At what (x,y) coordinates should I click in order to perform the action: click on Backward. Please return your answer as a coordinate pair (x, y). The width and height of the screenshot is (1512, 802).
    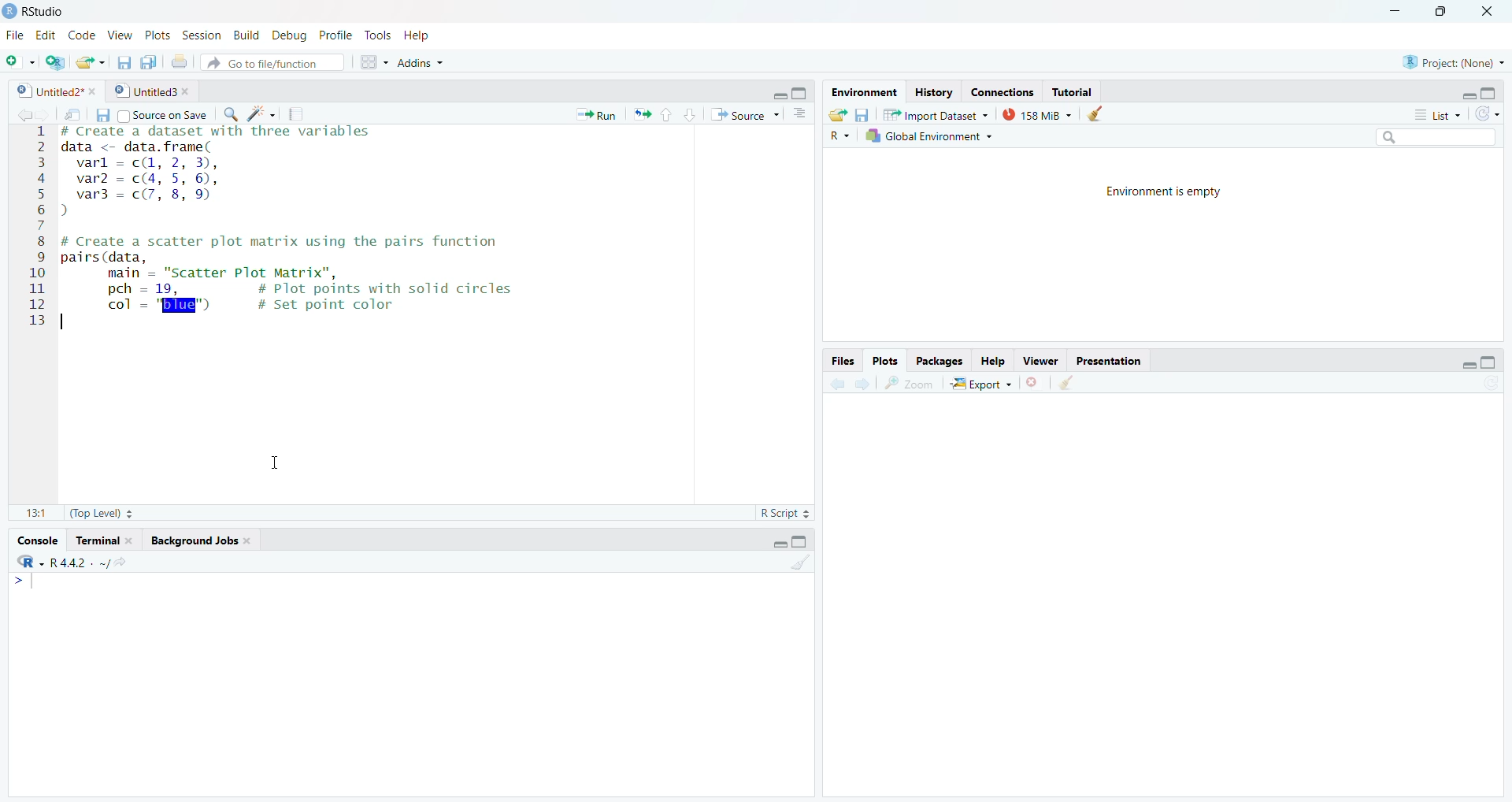
    Looking at the image, I should click on (861, 384).